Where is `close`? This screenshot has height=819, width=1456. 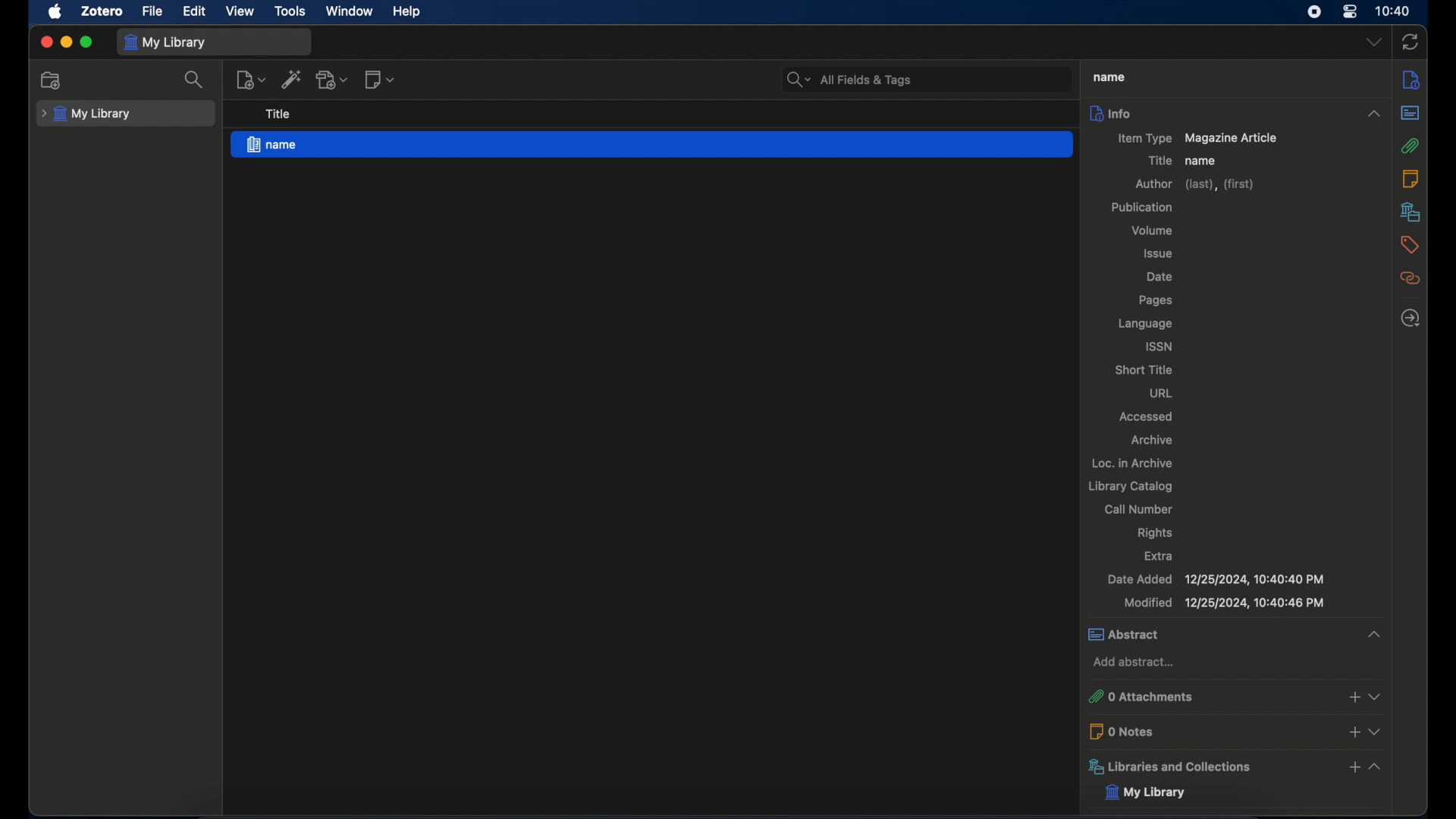
close is located at coordinates (45, 43).